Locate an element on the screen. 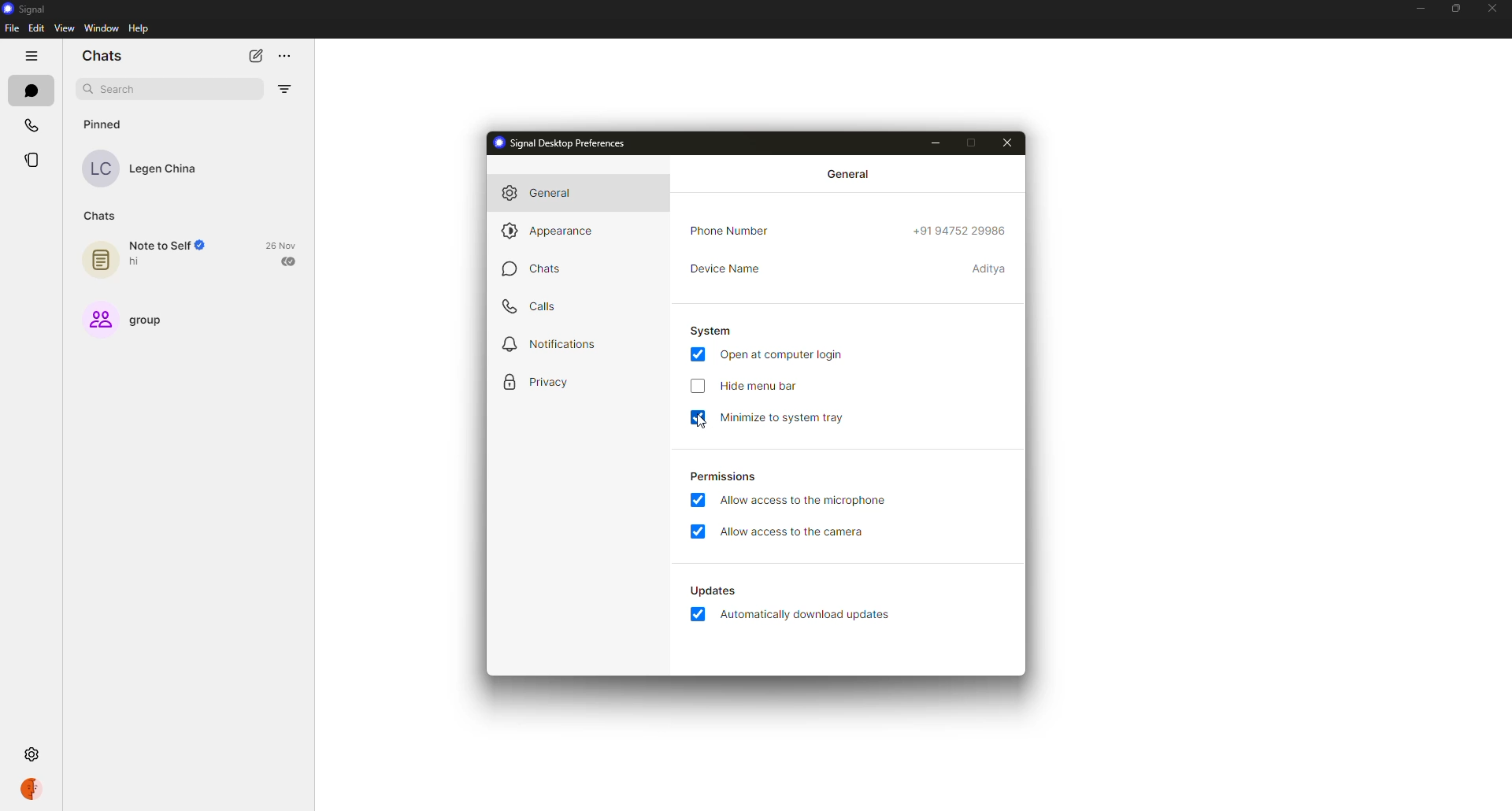  chats is located at coordinates (104, 56).